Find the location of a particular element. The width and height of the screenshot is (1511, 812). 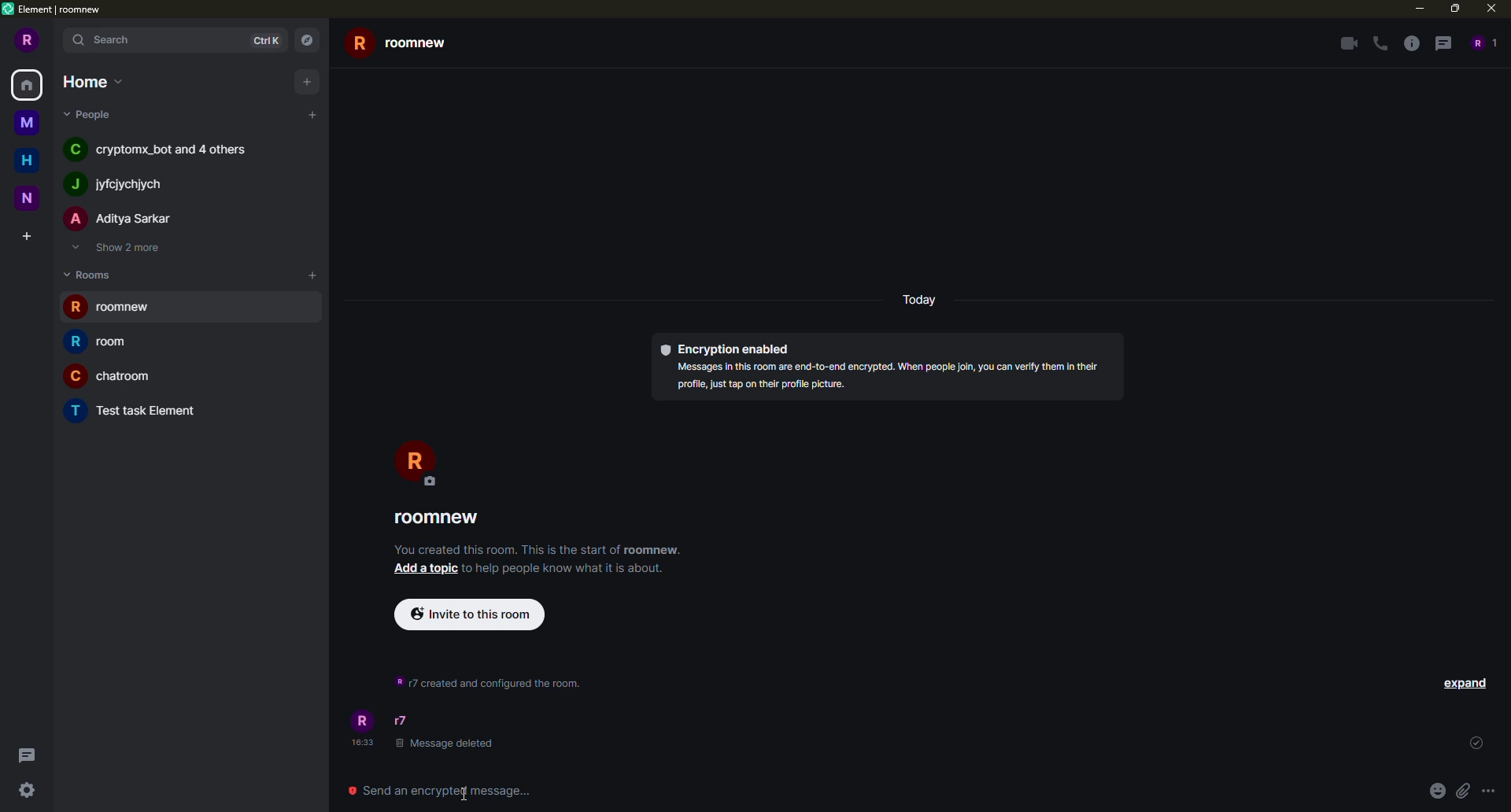

add is located at coordinates (315, 115).